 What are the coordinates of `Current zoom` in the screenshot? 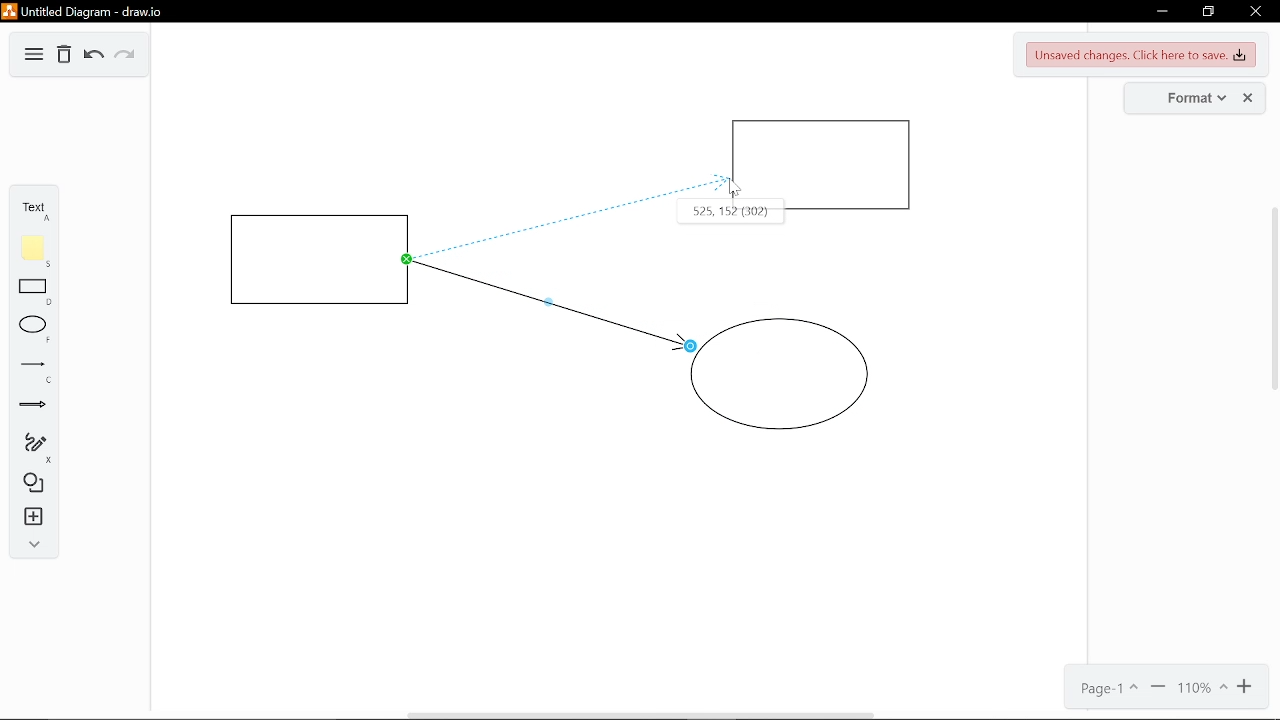 It's located at (1202, 690).